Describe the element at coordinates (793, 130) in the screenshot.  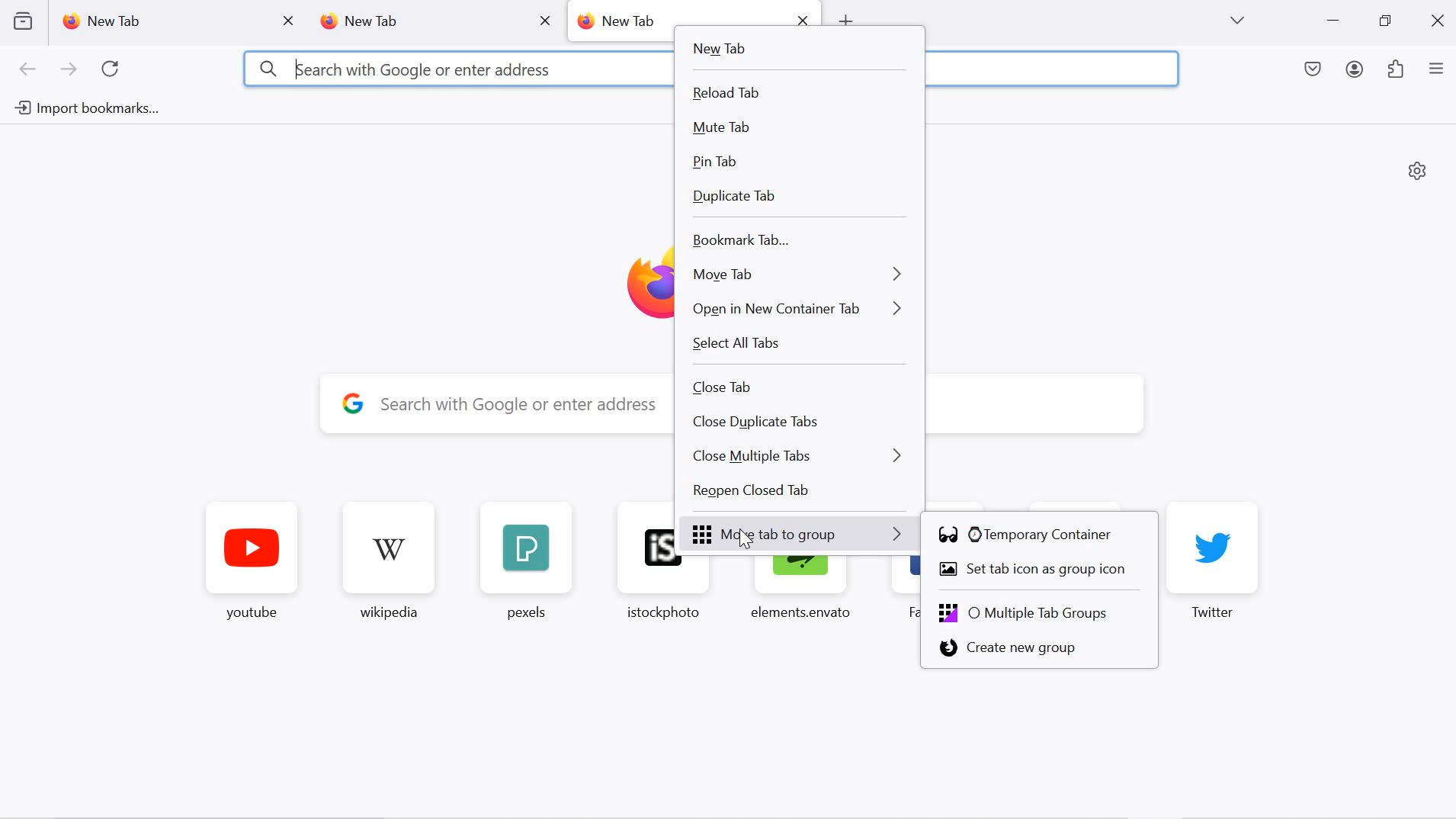
I see `mute tab` at that location.